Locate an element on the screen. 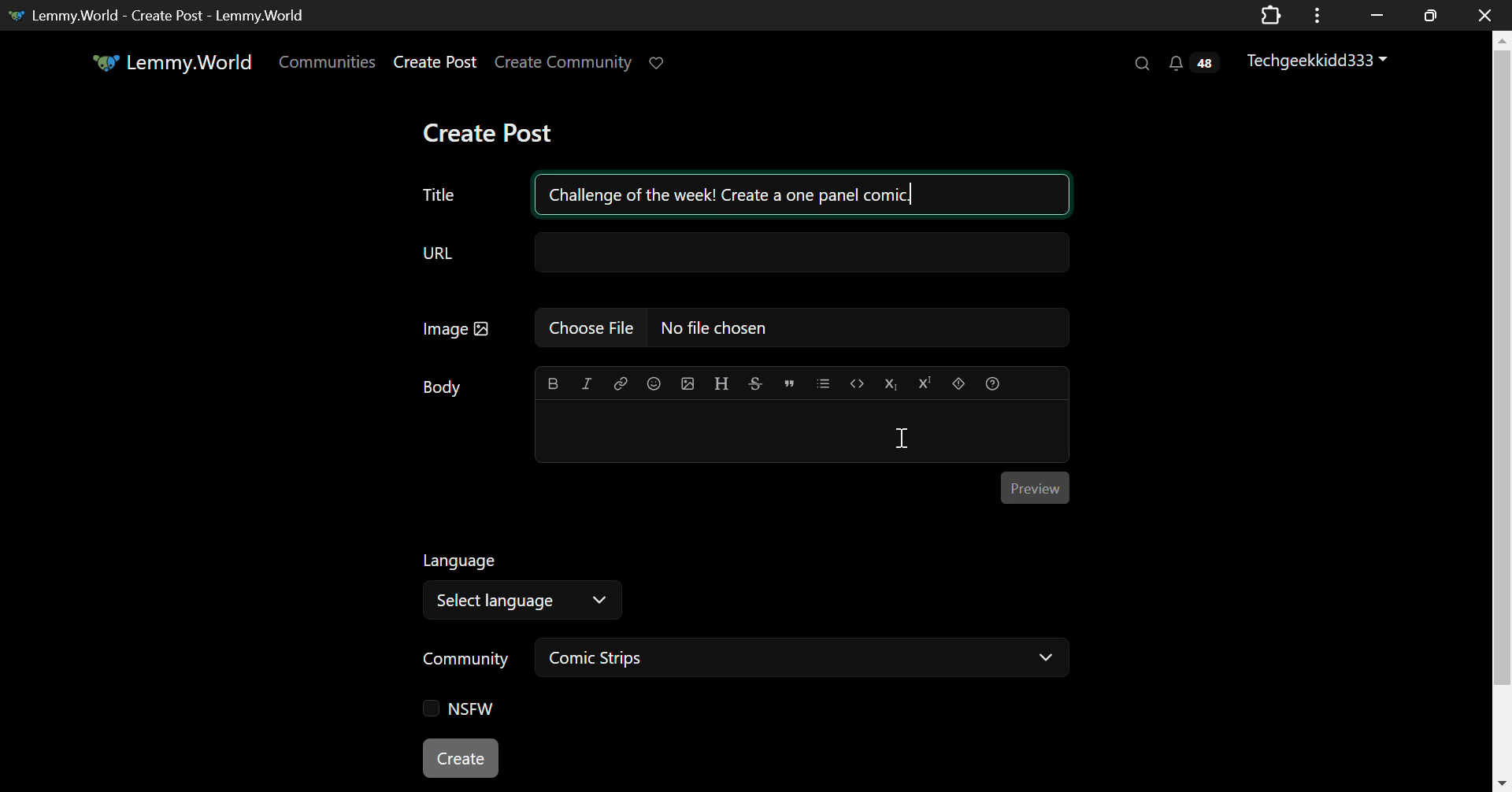 The width and height of the screenshot is (1512, 792). Image: No File chosen is located at coordinates (746, 330).